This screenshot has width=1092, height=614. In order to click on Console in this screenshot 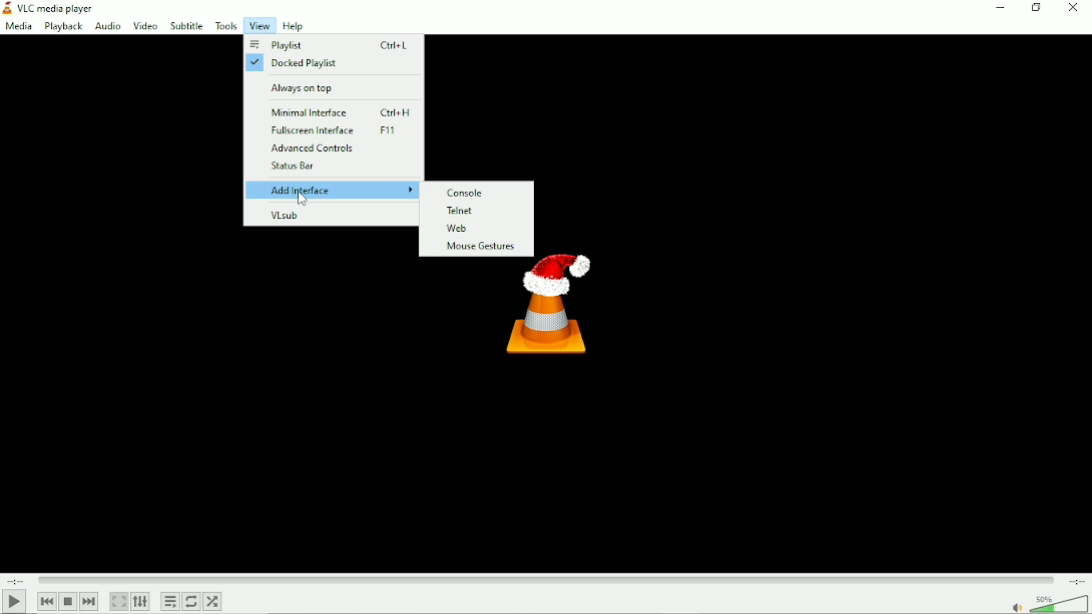, I will do `click(477, 191)`.